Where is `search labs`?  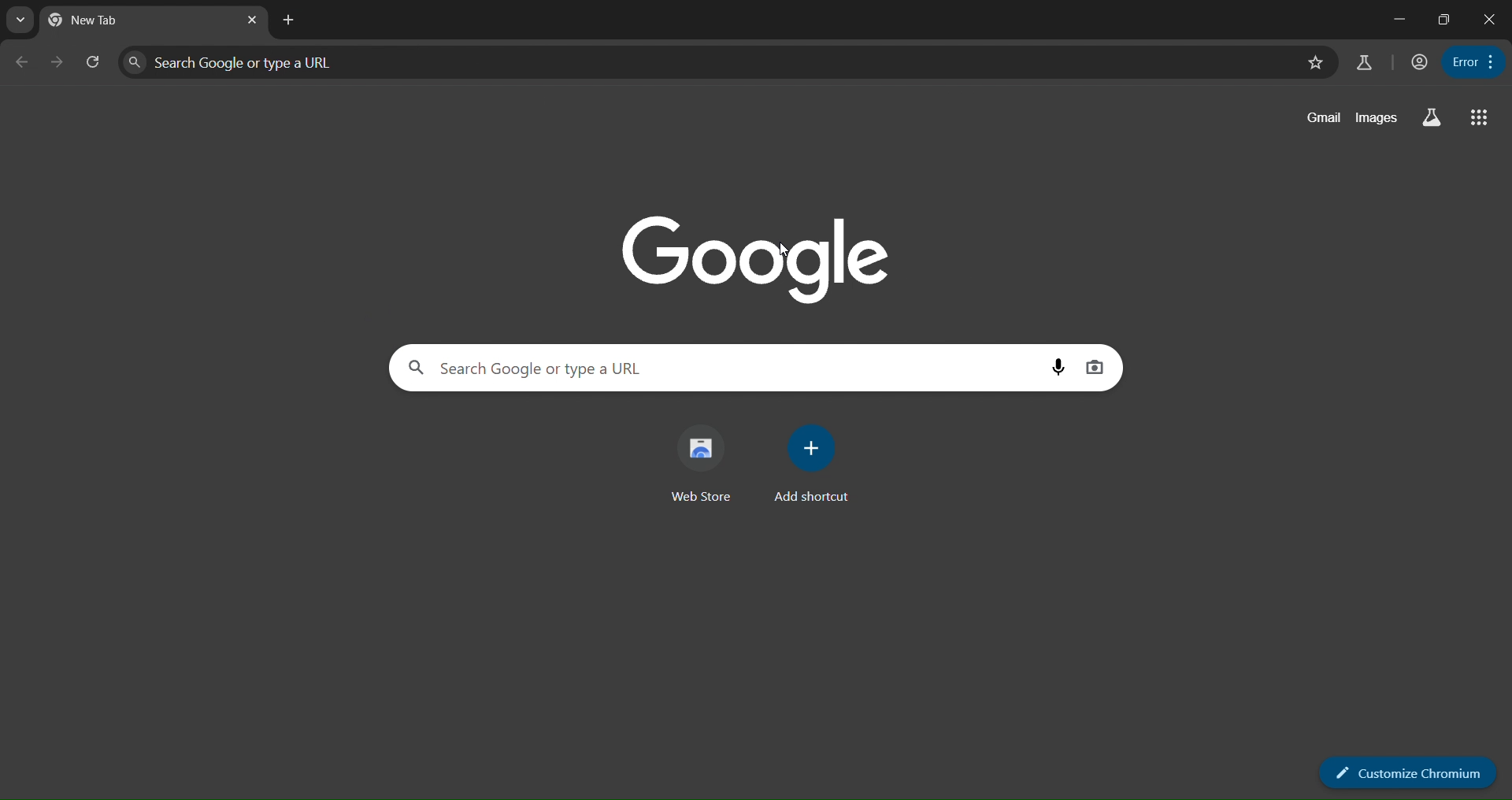
search labs is located at coordinates (1435, 117).